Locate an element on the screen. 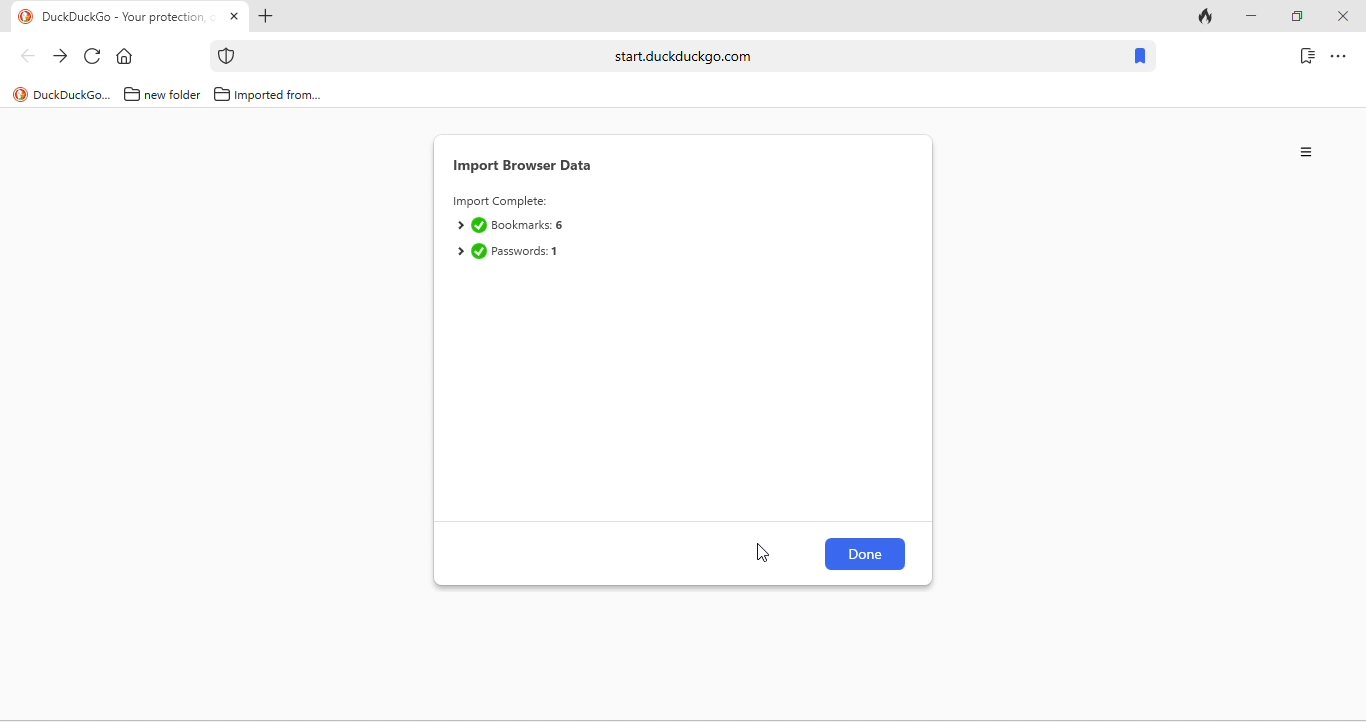  bookmarks is located at coordinates (1307, 55).